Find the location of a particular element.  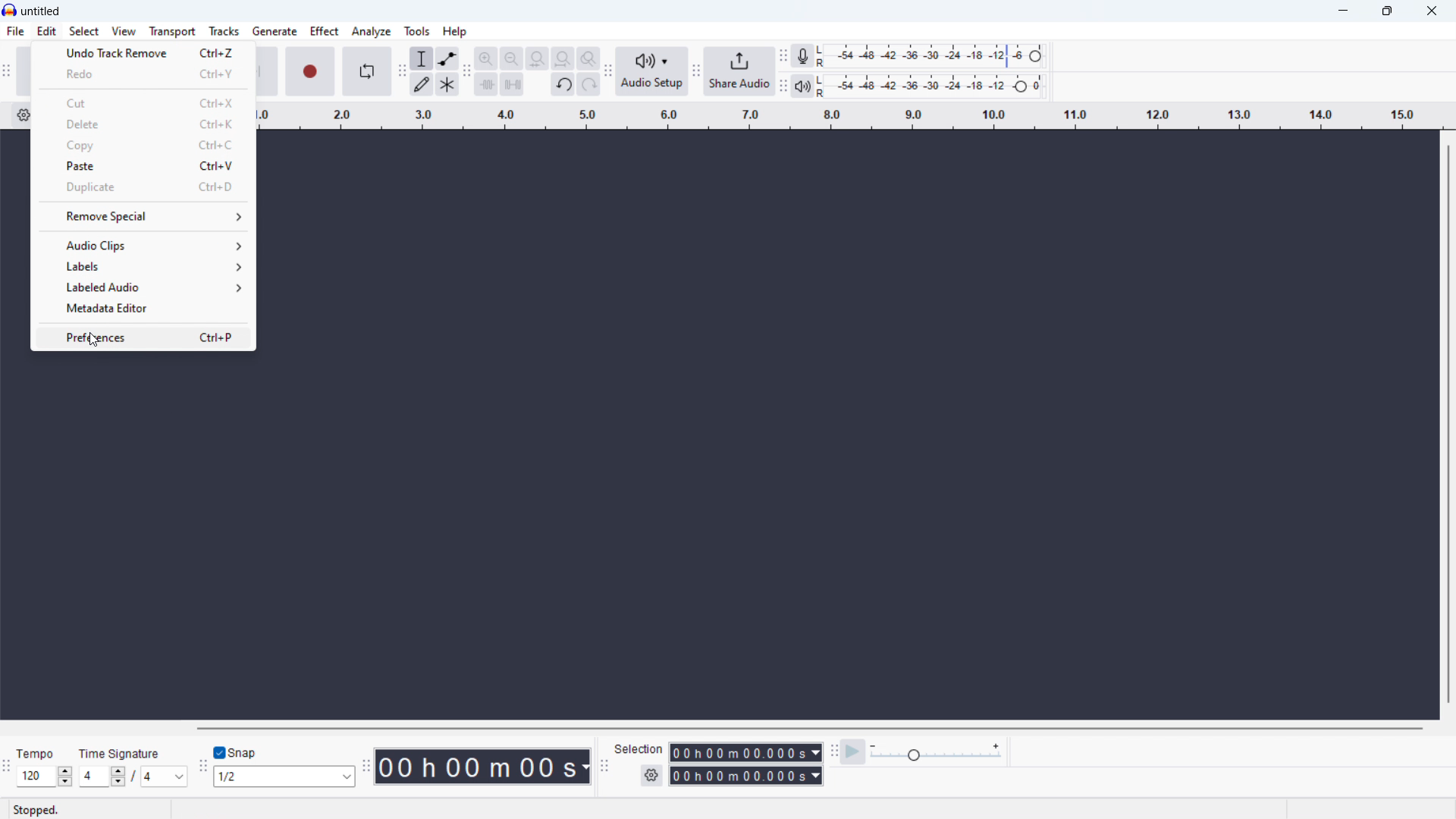

timestamp is located at coordinates (485, 767).